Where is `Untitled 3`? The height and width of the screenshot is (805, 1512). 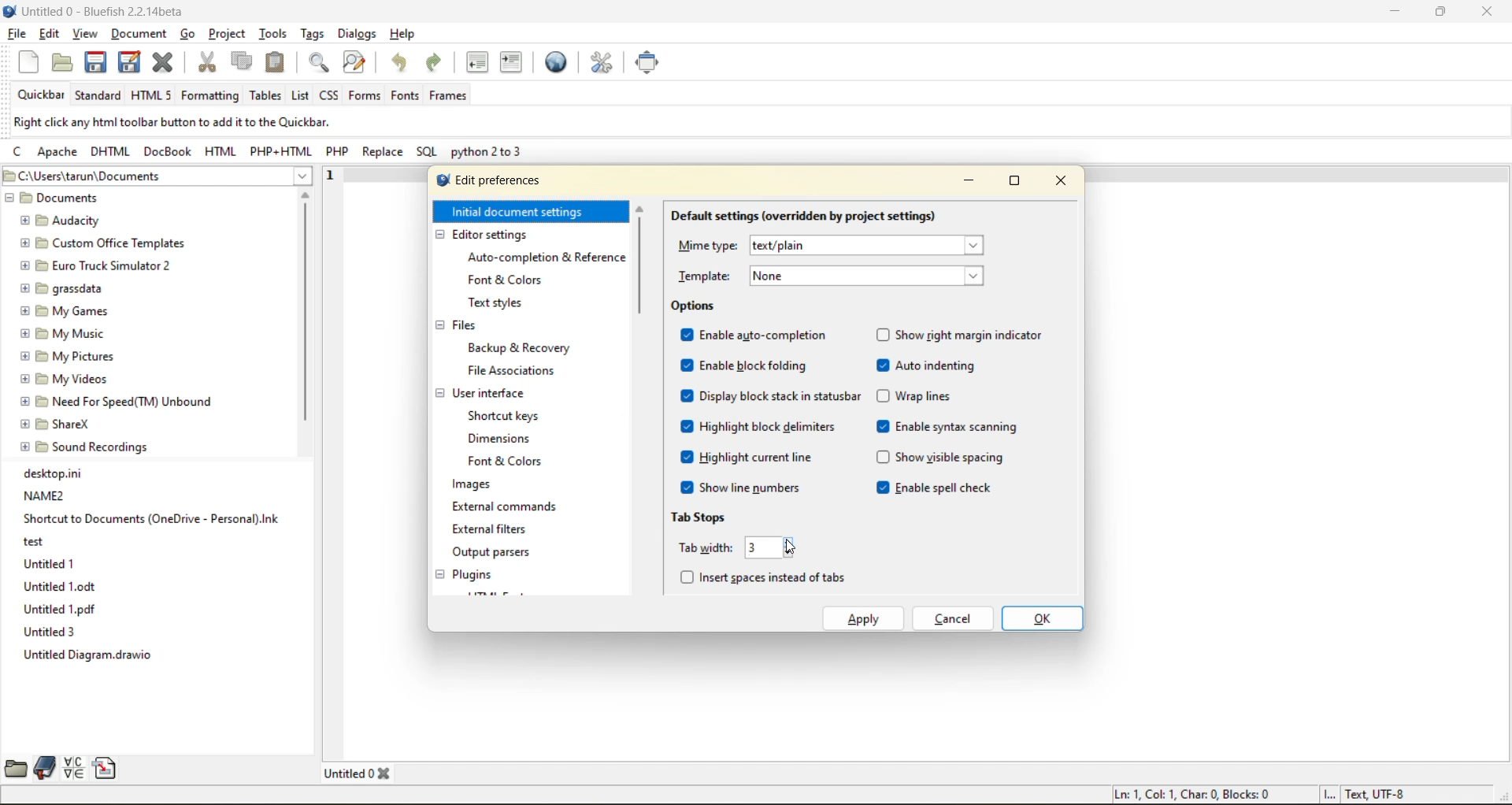 Untitled 3 is located at coordinates (50, 632).